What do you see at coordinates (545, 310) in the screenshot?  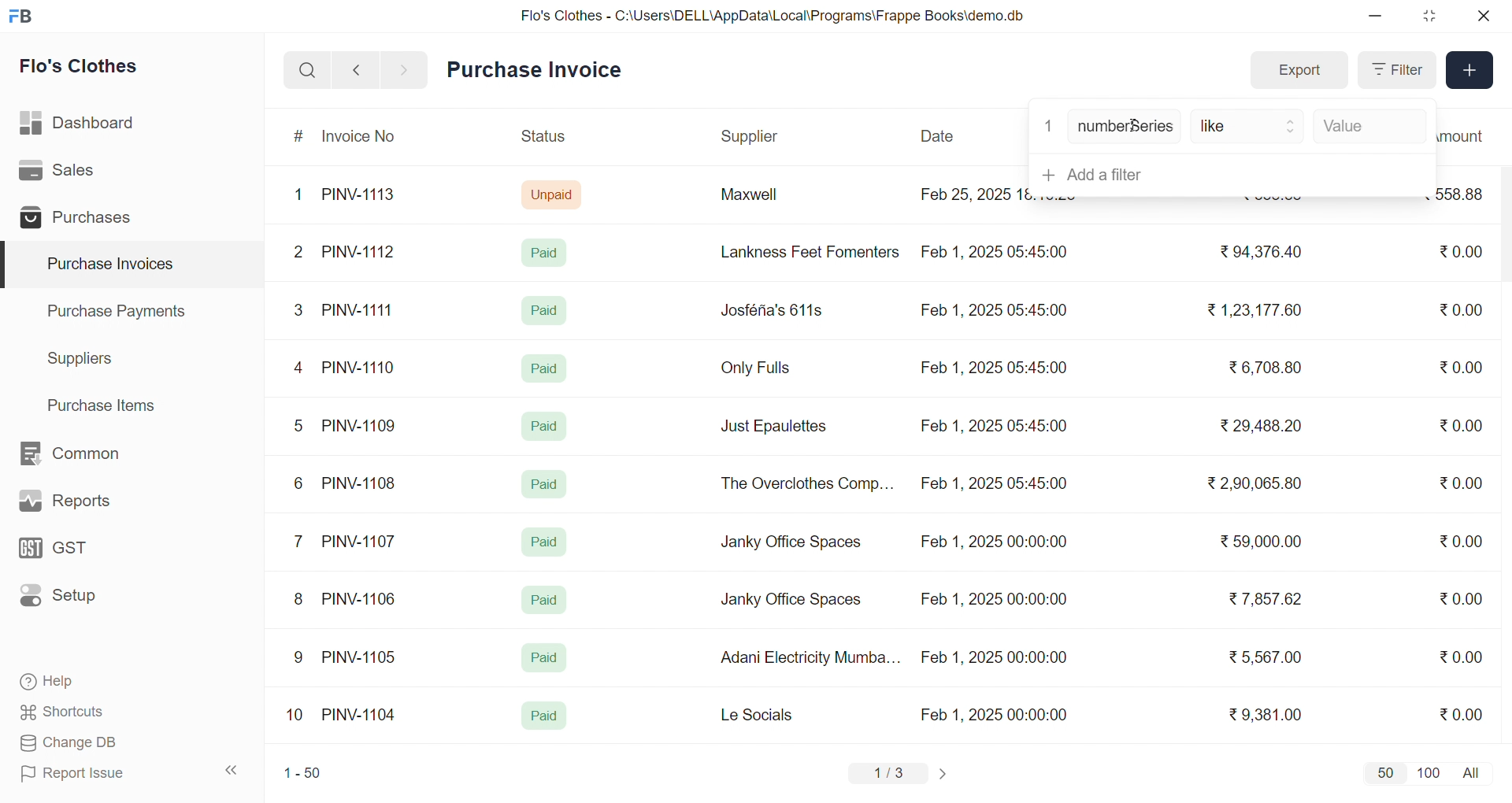 I see `Paid` at bounding box center [545, 310].